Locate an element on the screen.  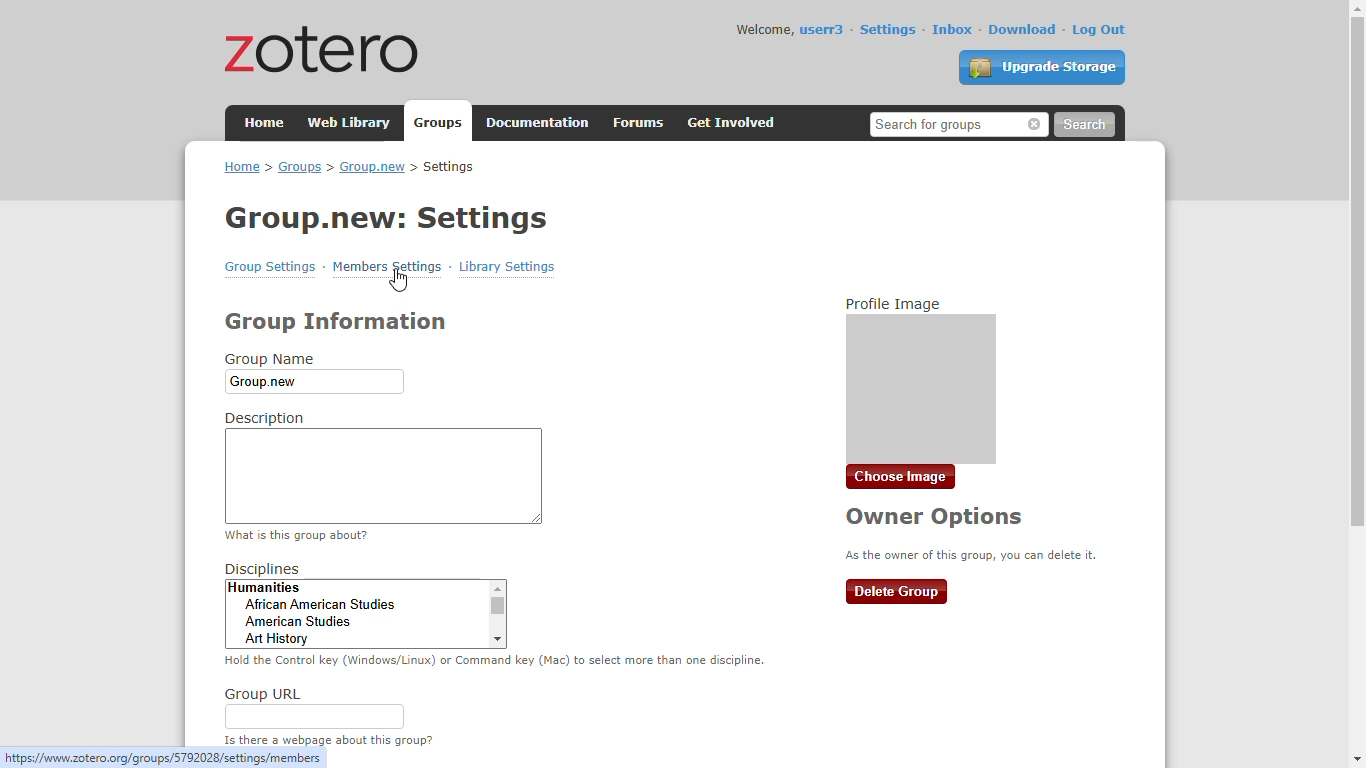
log out is located at coordinates (1100, 30).